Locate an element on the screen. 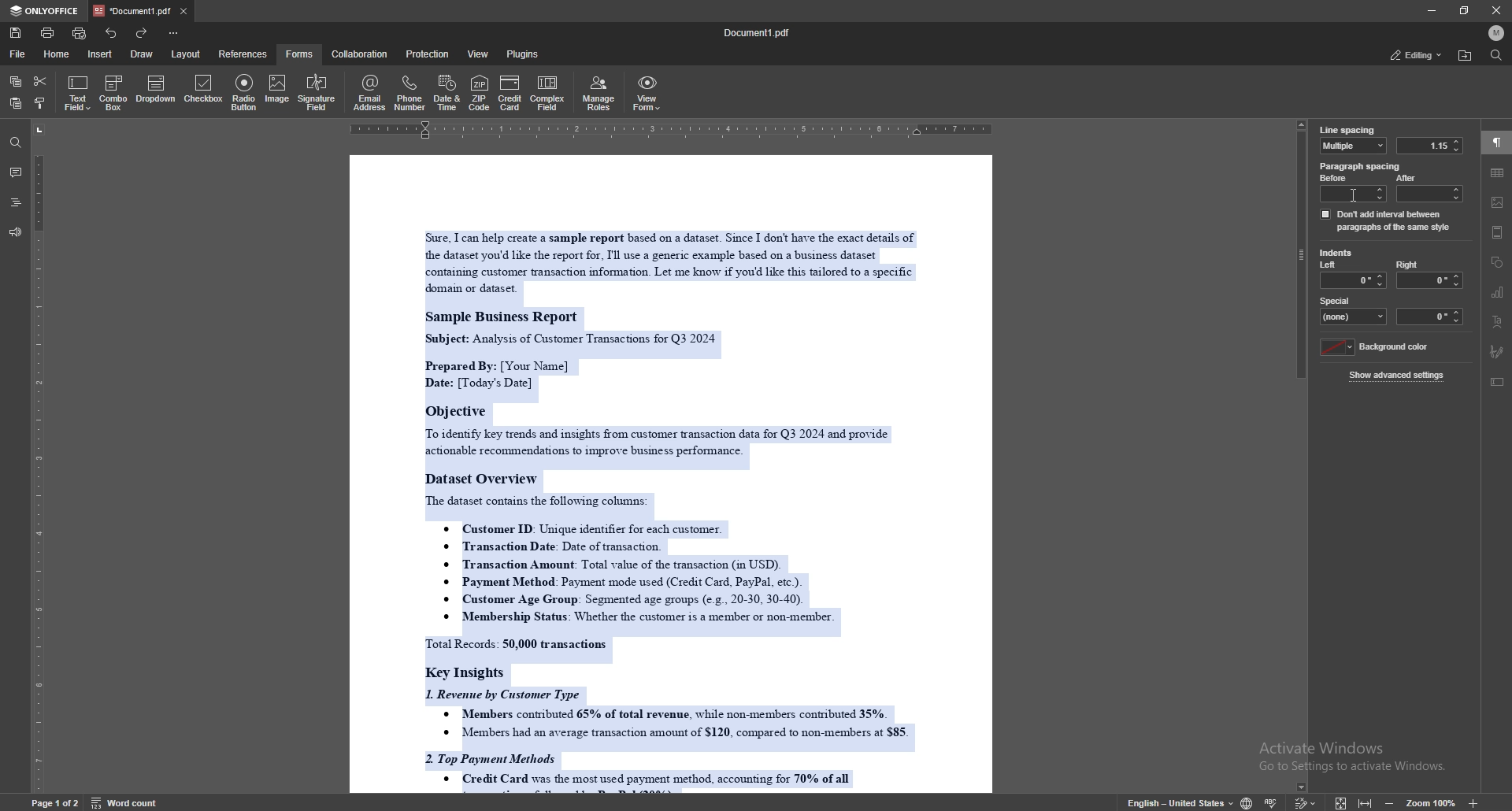  close tab is located at coordinates (183, 10).